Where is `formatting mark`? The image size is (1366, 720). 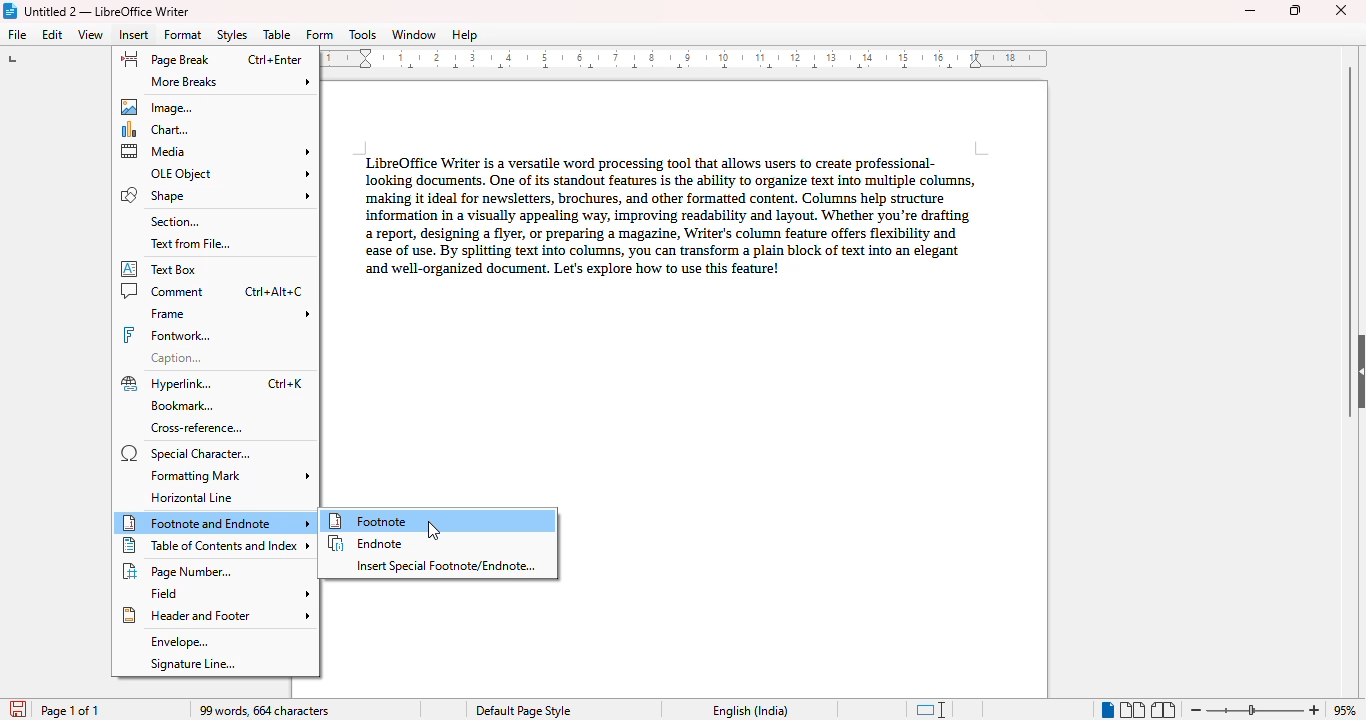 formatting mark is located at coordinates (231, 476).